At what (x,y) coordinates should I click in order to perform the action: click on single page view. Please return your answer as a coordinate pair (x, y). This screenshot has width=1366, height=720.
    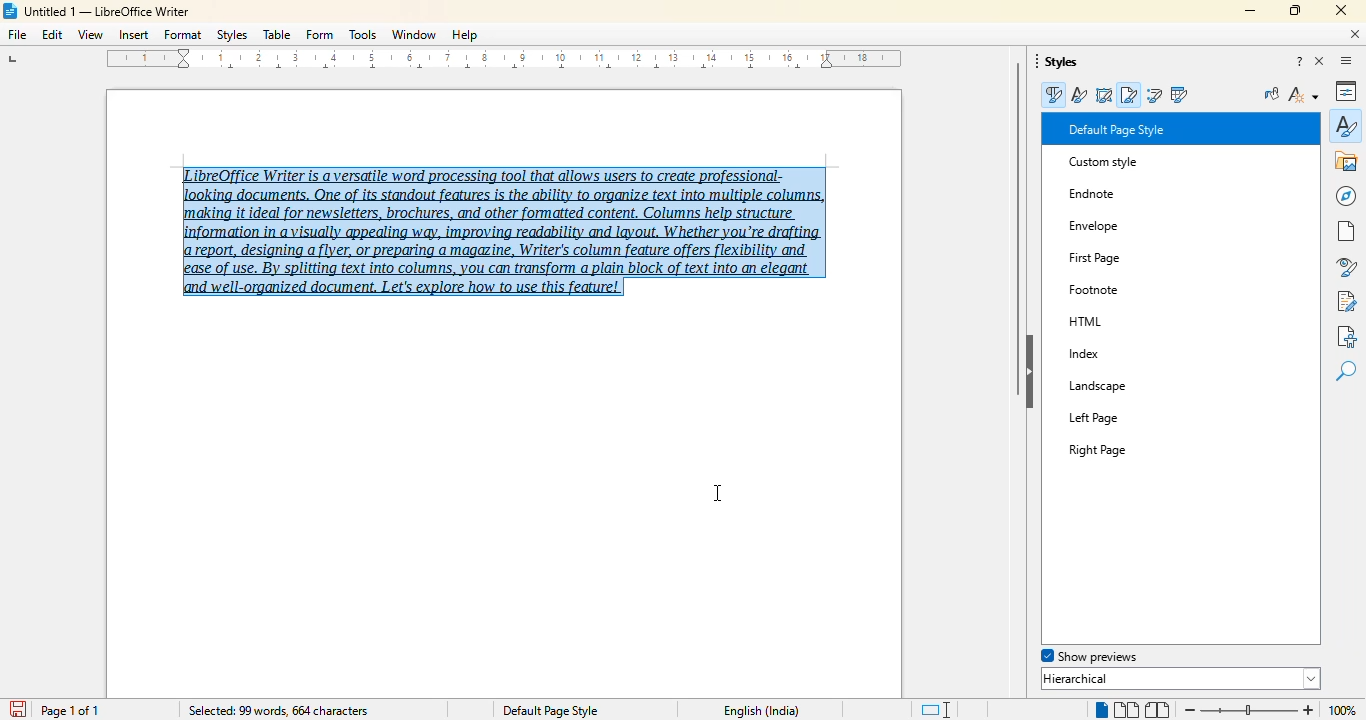
    Looking at the image, I should click on (1097, 710).